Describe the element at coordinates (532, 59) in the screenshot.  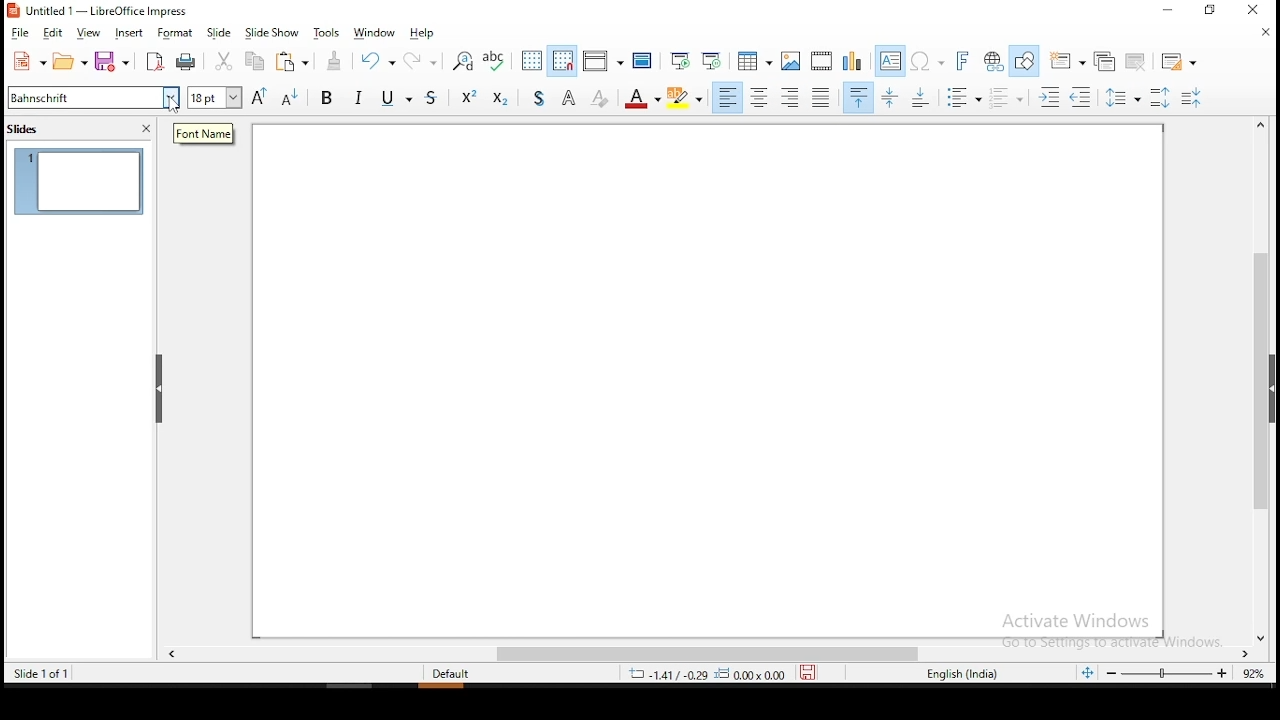
I see `display grid` at that location.